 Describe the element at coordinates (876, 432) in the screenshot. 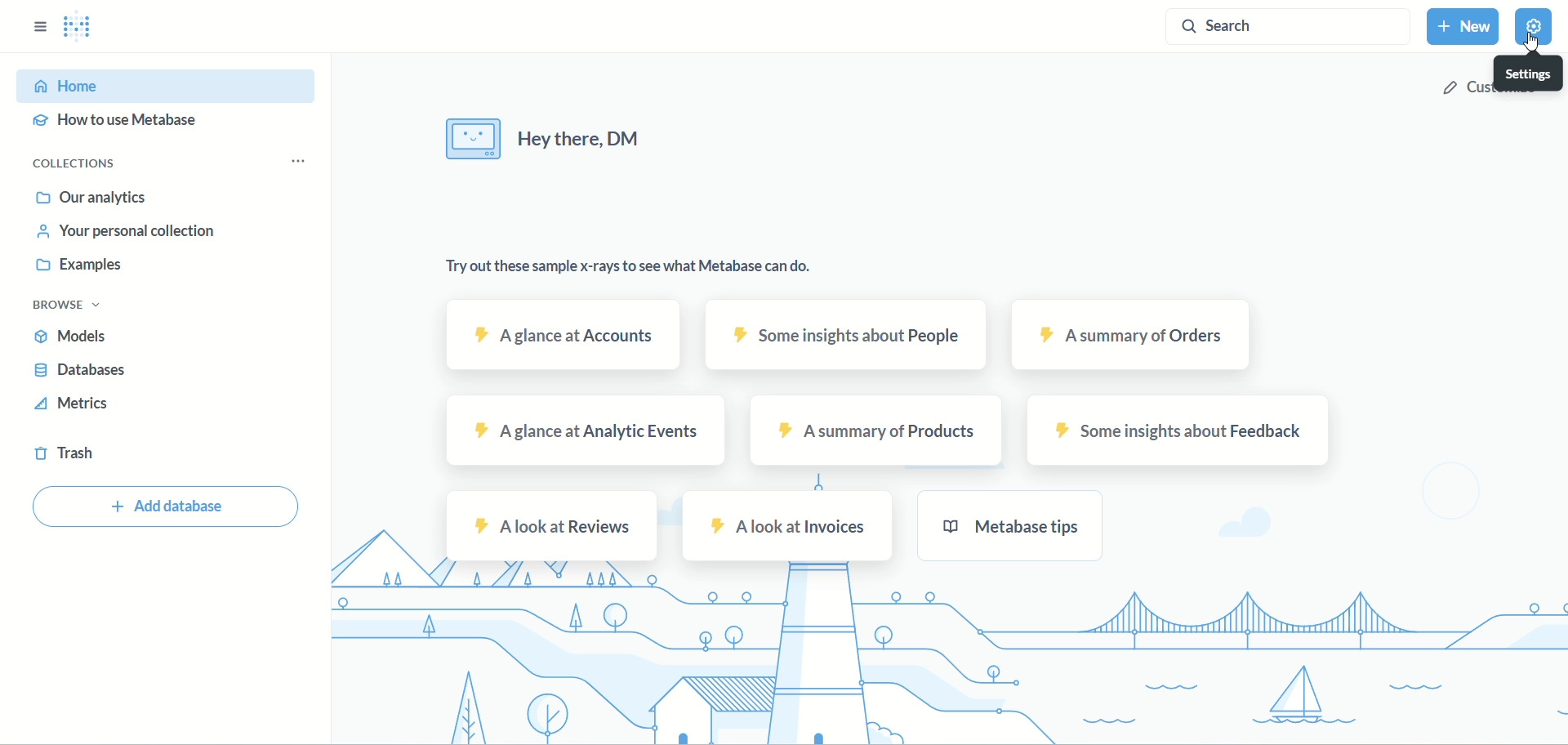

I see `products` at that location.